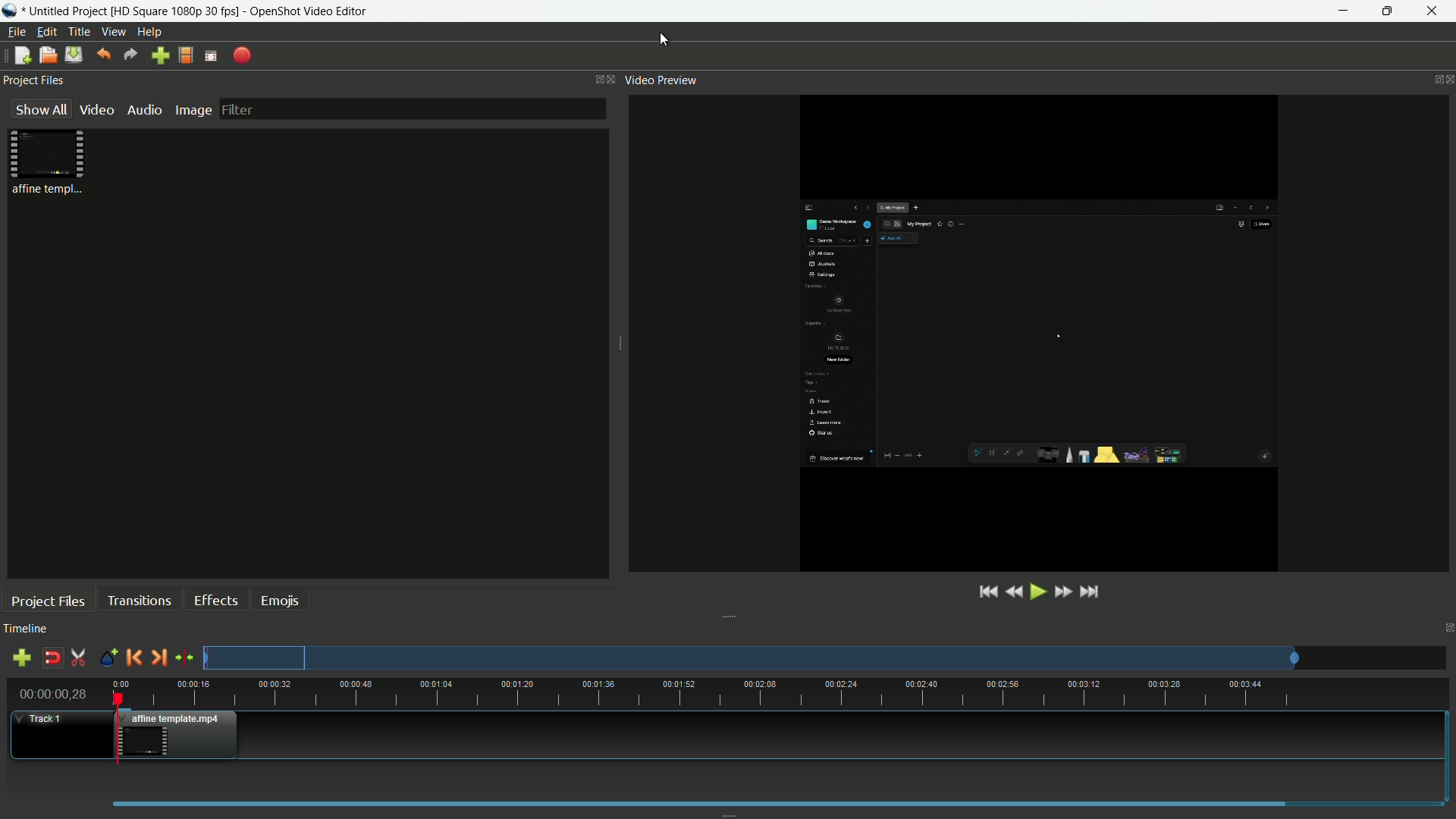 Image resolution: width=1456 pixels, height=819 pixels. I want to click on close video preview, so click(1447, 80).